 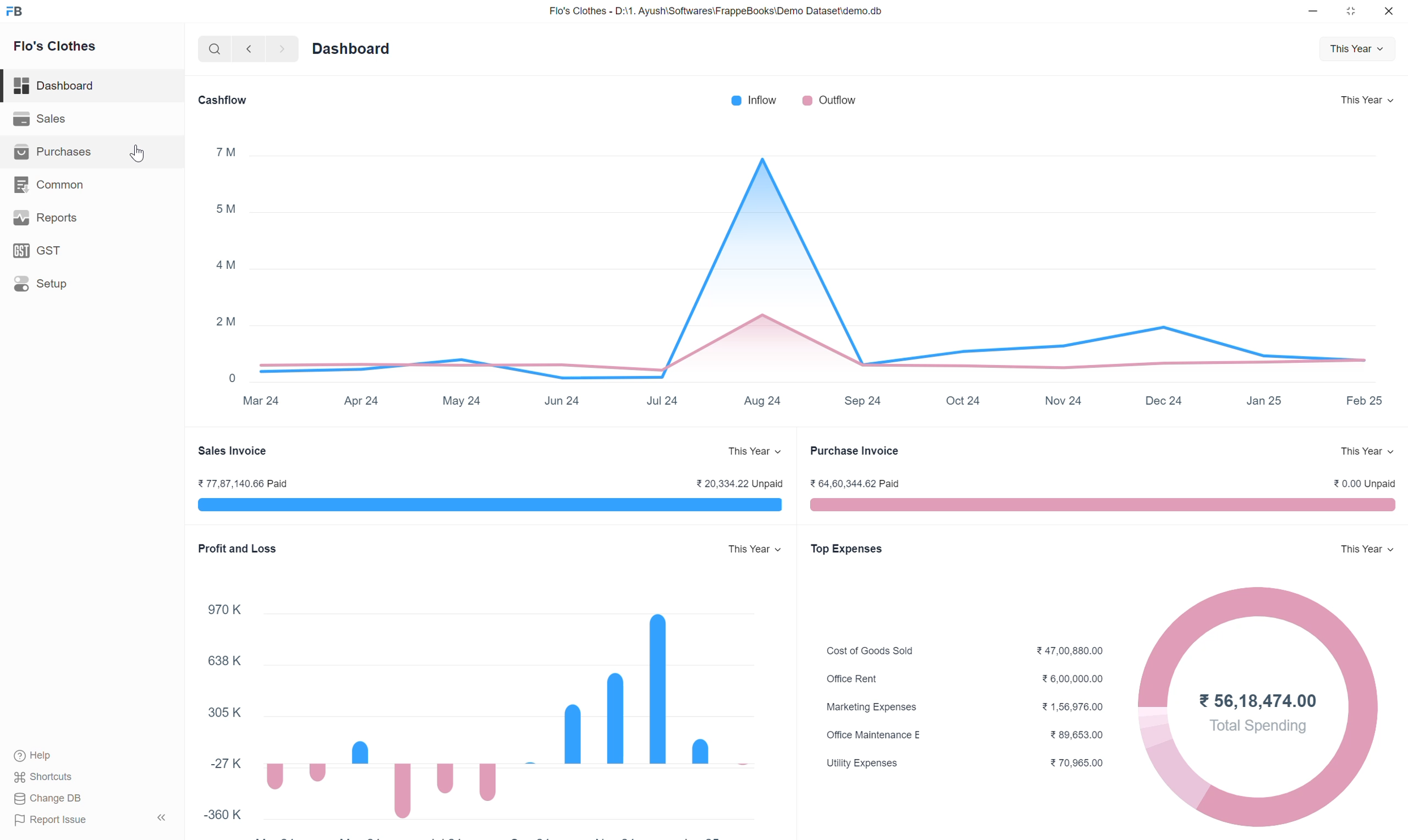 What do you see at coordinates (233, 378) in the screenshot?
I see `0` at bounding box center [233, 378].